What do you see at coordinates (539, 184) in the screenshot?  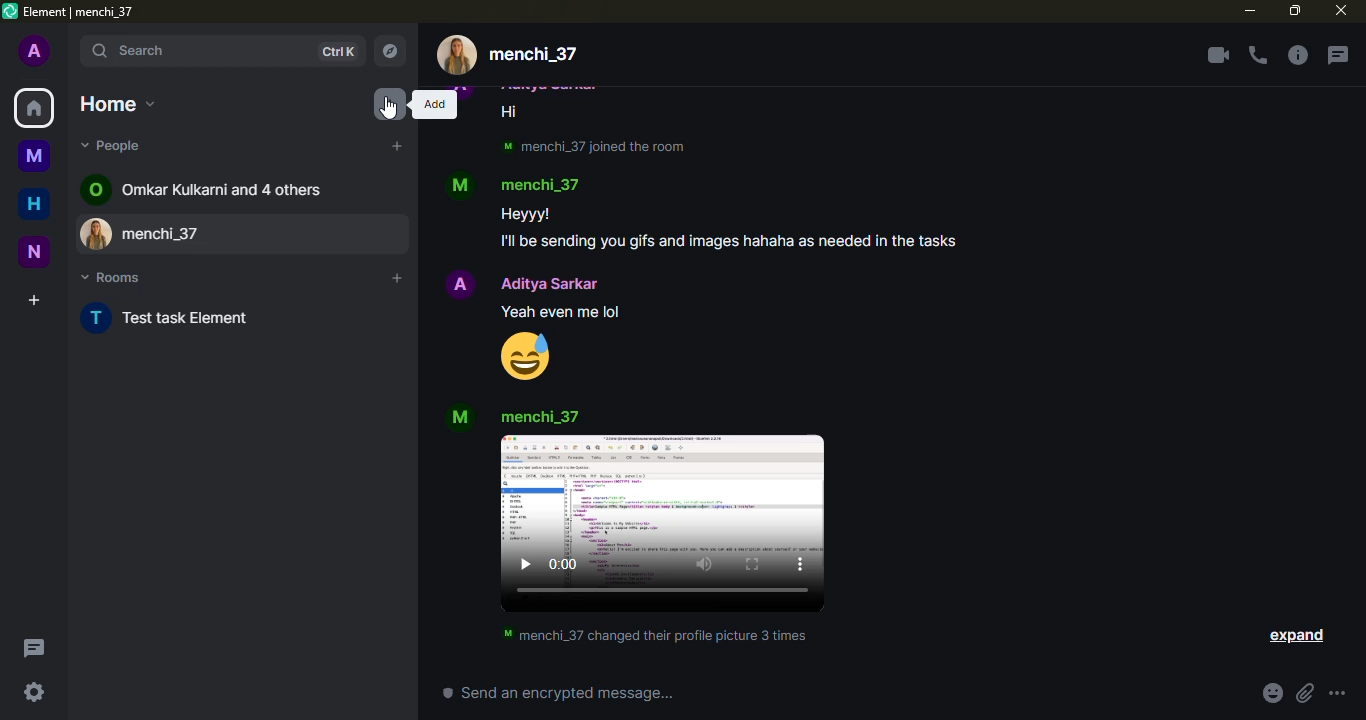 I see `menchi_37` at bounding box center [539, 184].